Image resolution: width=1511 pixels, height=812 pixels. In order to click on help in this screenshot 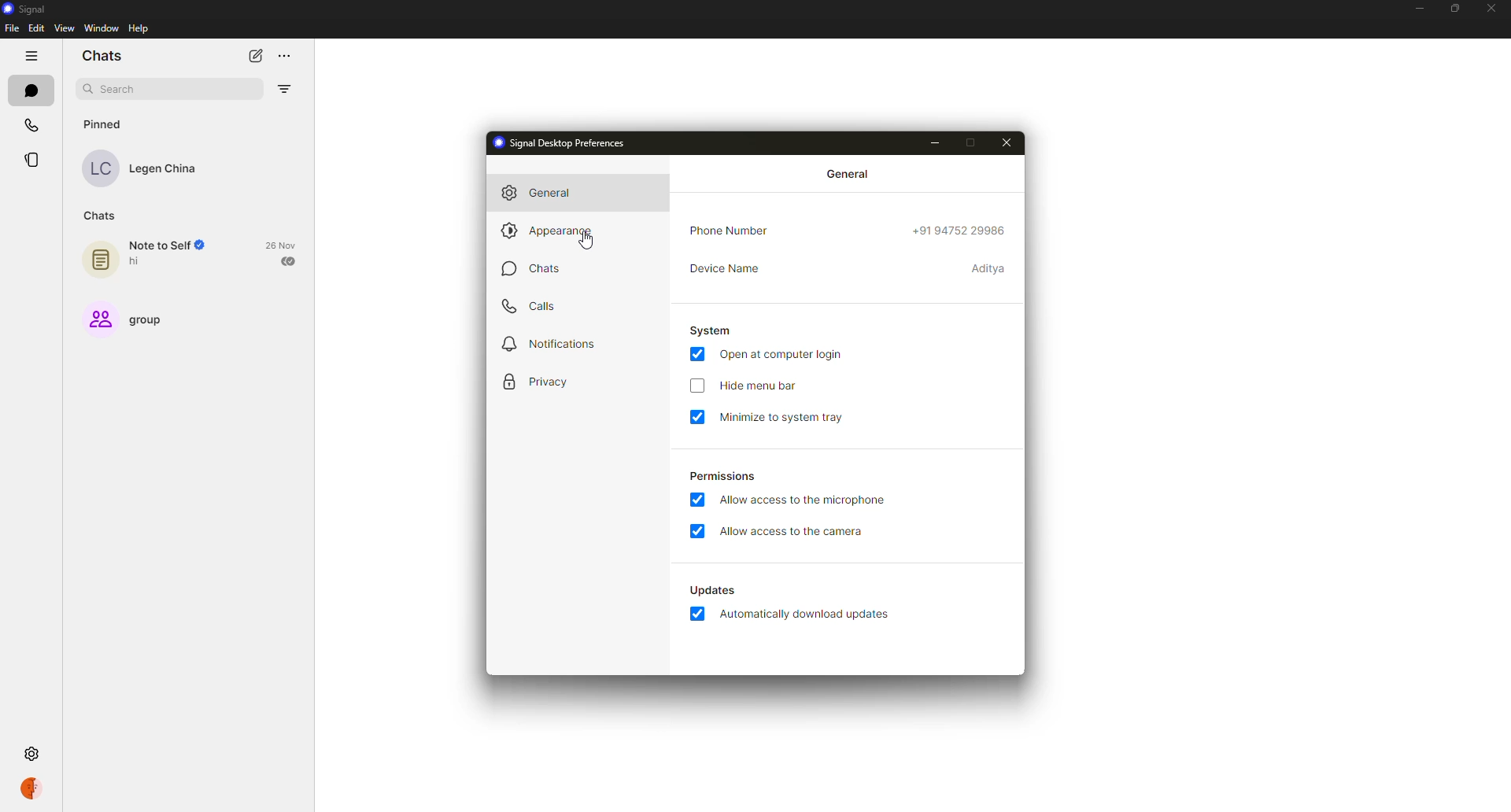, I will do `click(138, 30)`.